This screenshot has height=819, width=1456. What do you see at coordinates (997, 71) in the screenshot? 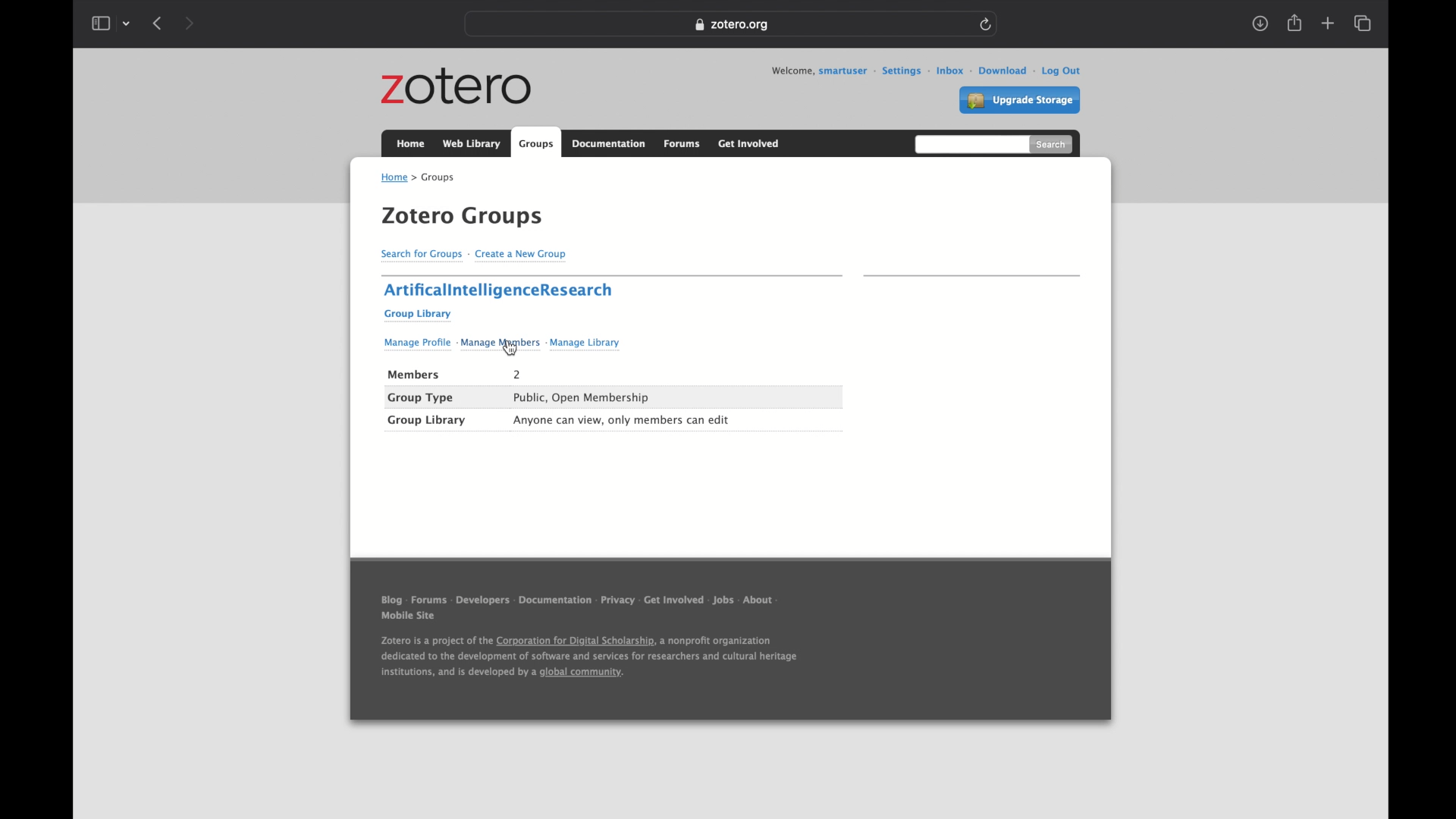
I see `download ` at bounding box center [997, 71].